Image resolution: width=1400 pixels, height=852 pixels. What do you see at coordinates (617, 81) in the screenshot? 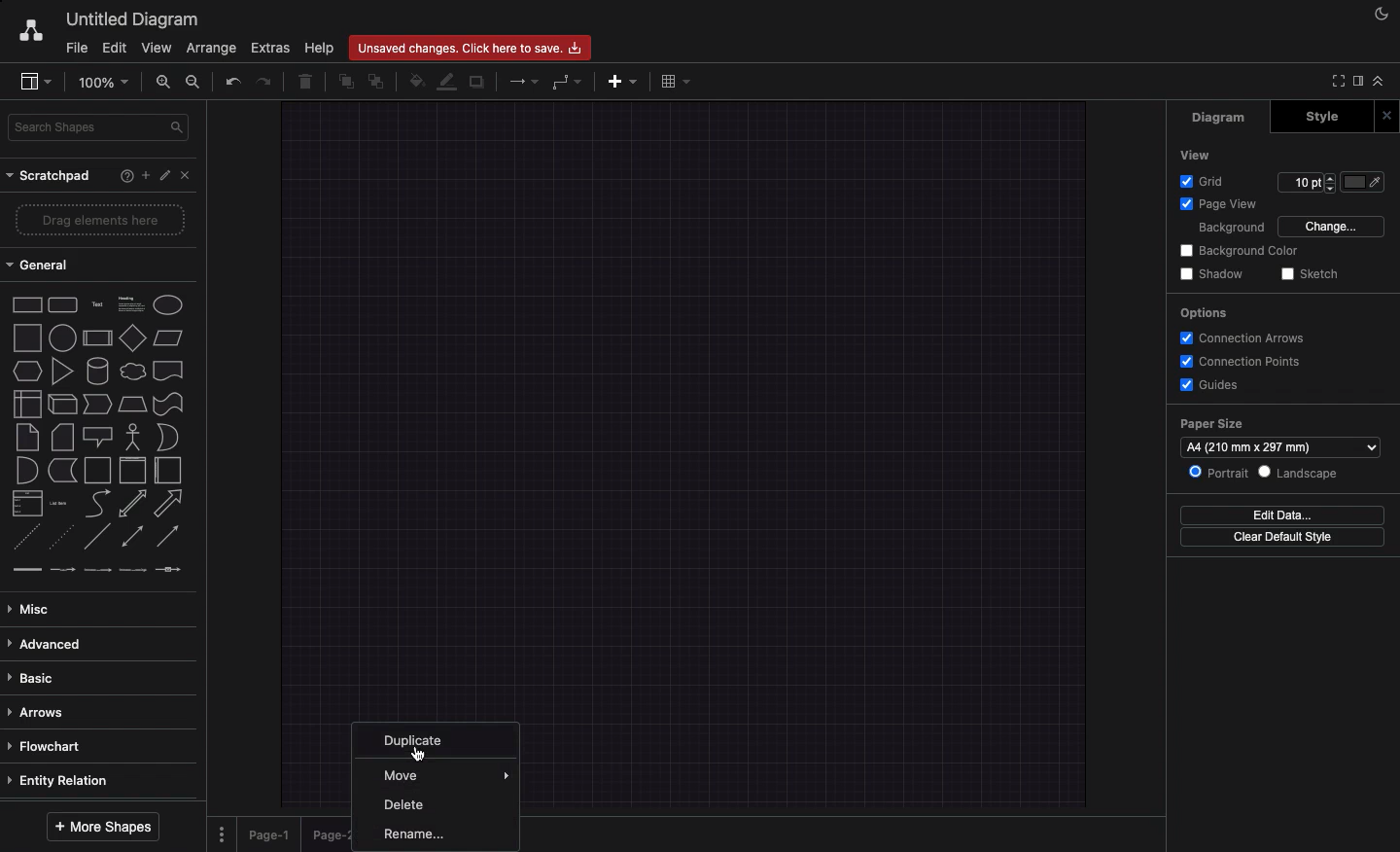
I see `Add` at bounding box center [617, 81].